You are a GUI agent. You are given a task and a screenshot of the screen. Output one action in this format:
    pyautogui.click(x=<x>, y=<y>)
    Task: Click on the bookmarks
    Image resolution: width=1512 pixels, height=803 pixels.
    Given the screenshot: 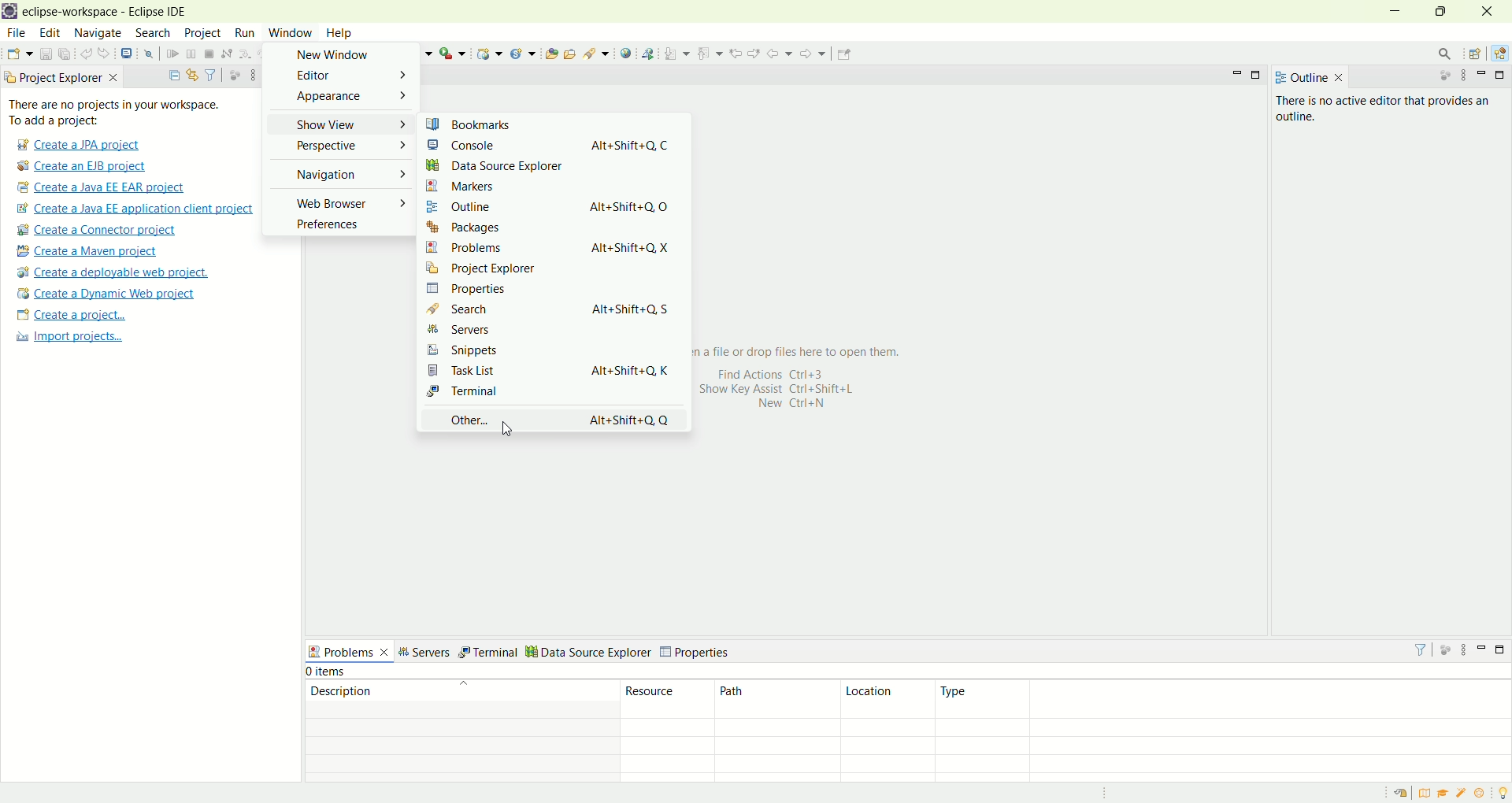 What is the action you would take?
    pyautogui.click(x=491, y=124)
    